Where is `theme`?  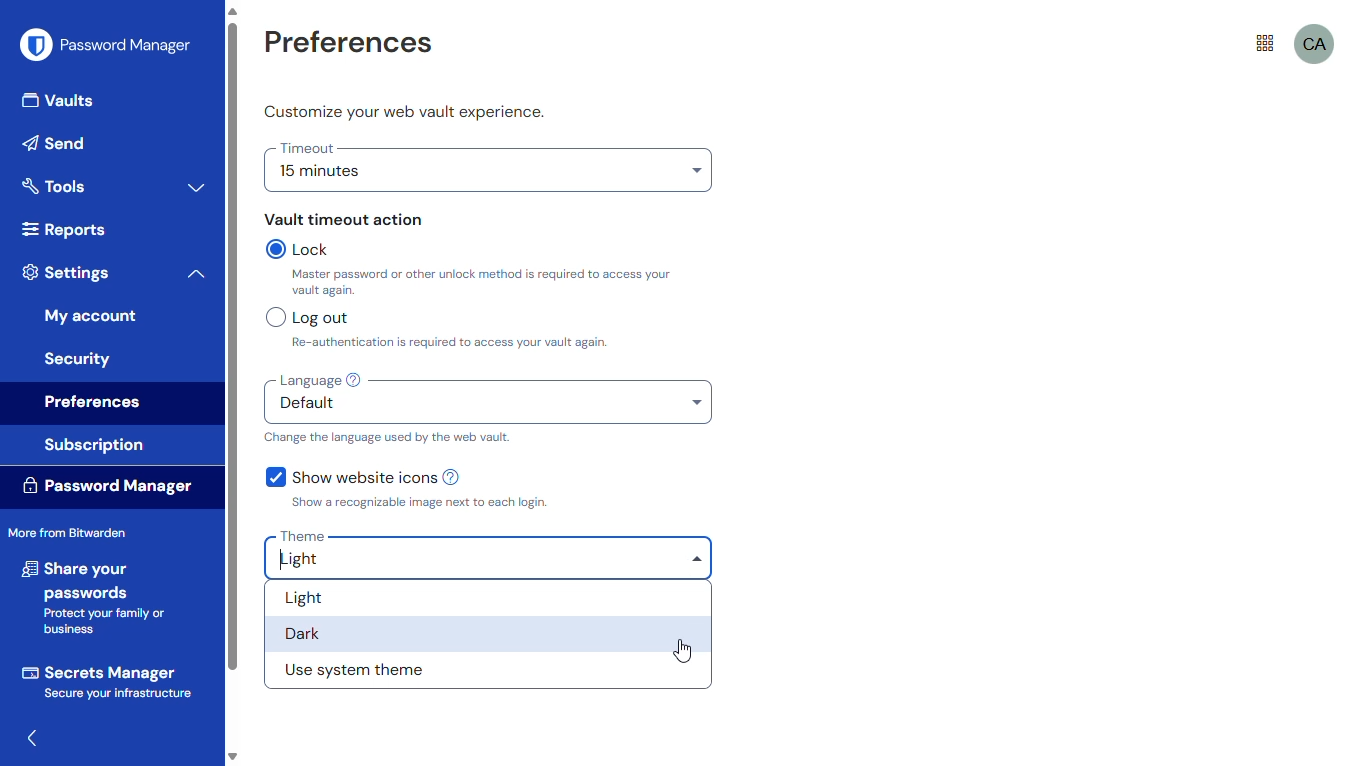
theme is located at coordinates (302, 536).